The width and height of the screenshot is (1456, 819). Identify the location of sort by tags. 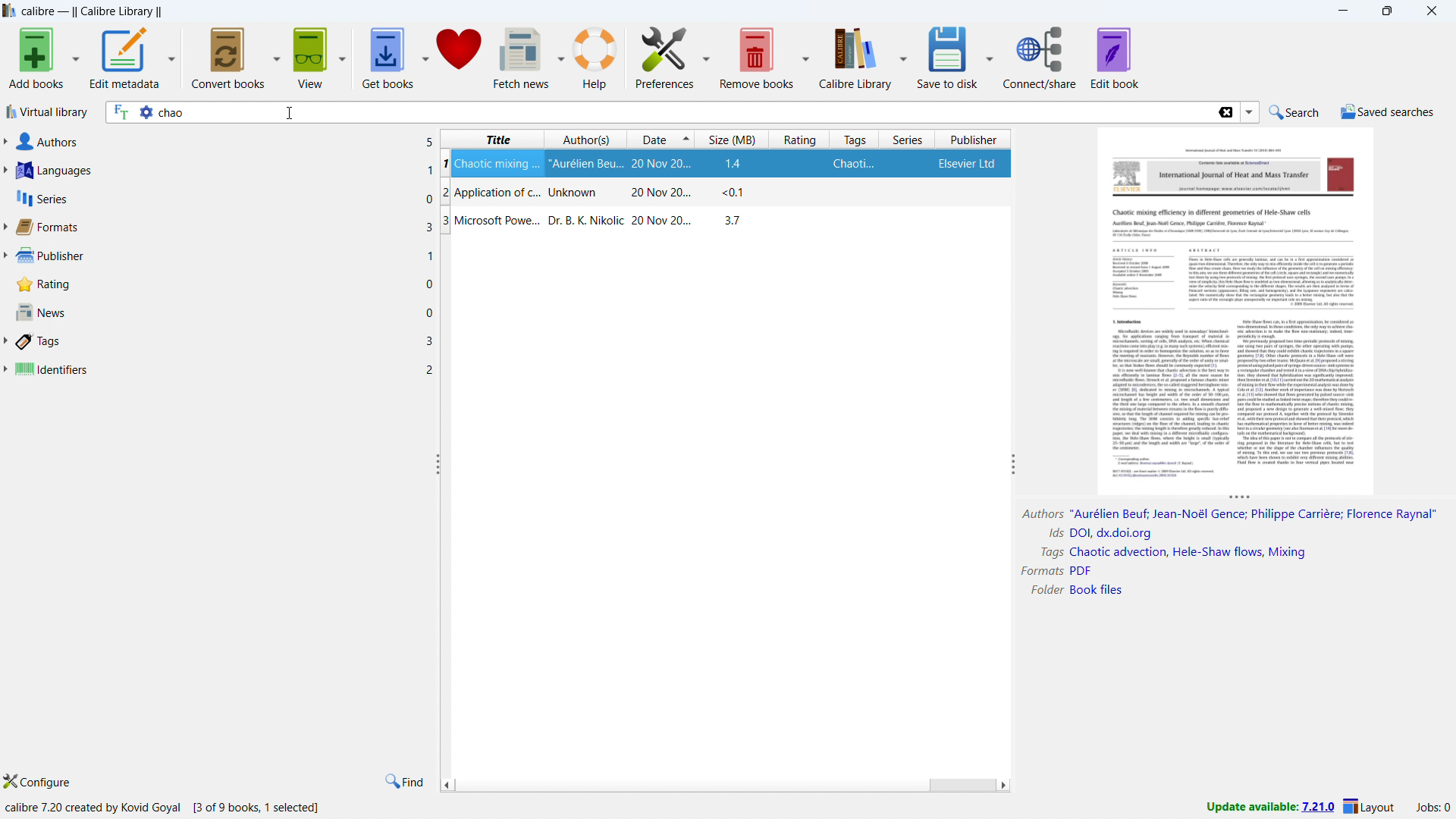
(855, 139).